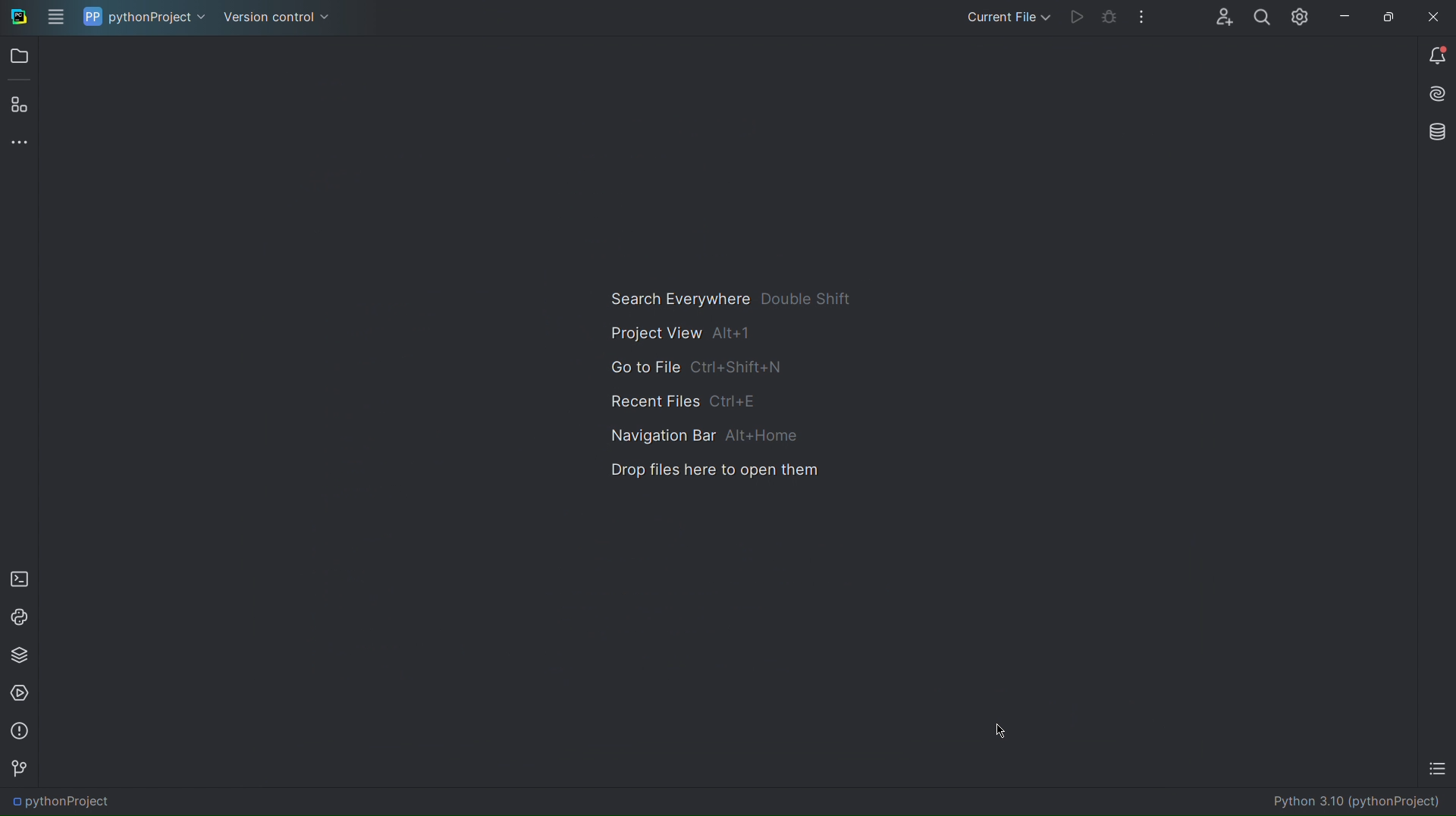 Image resolution: width=1456 pixels, height=816 pixels. I want to click on Python 3.10 (pythonProject), so click(1363, 802).